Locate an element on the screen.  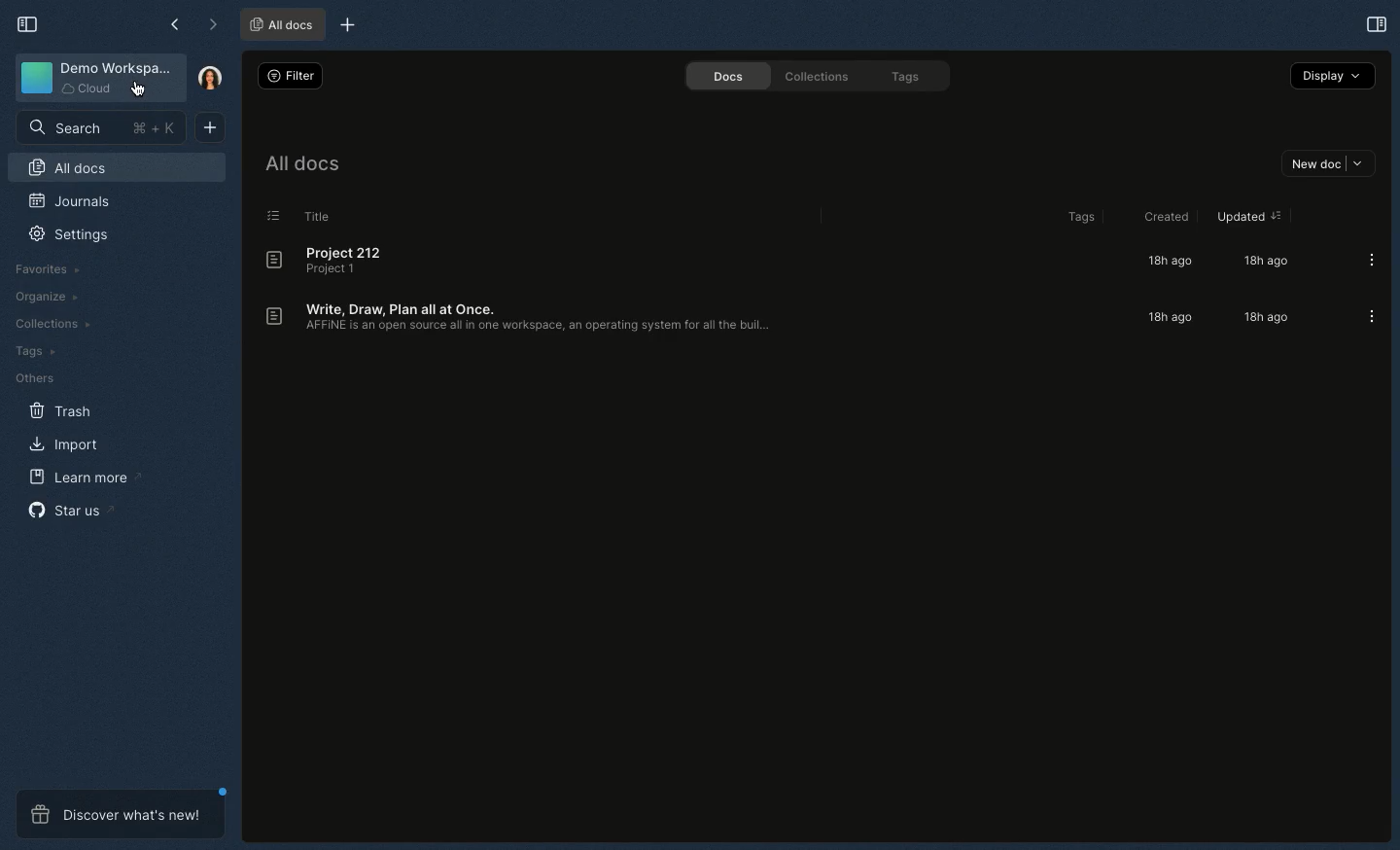
List view is located at coordinates (271, 216).